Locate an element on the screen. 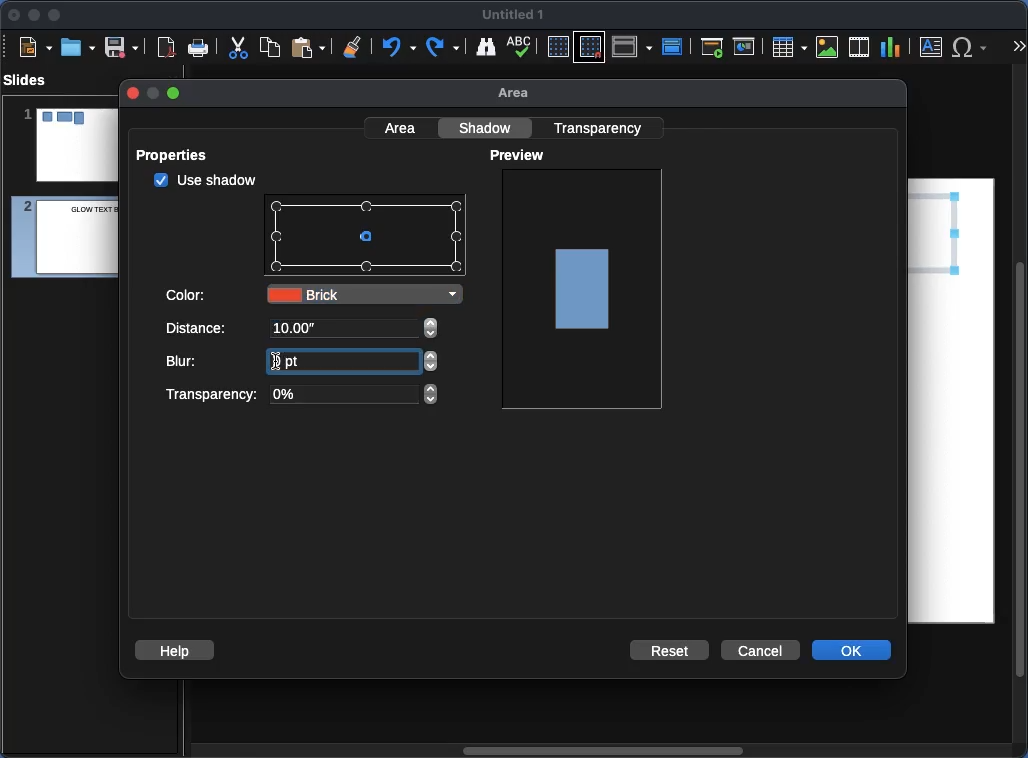  Area is located at coordinates (519, 94).